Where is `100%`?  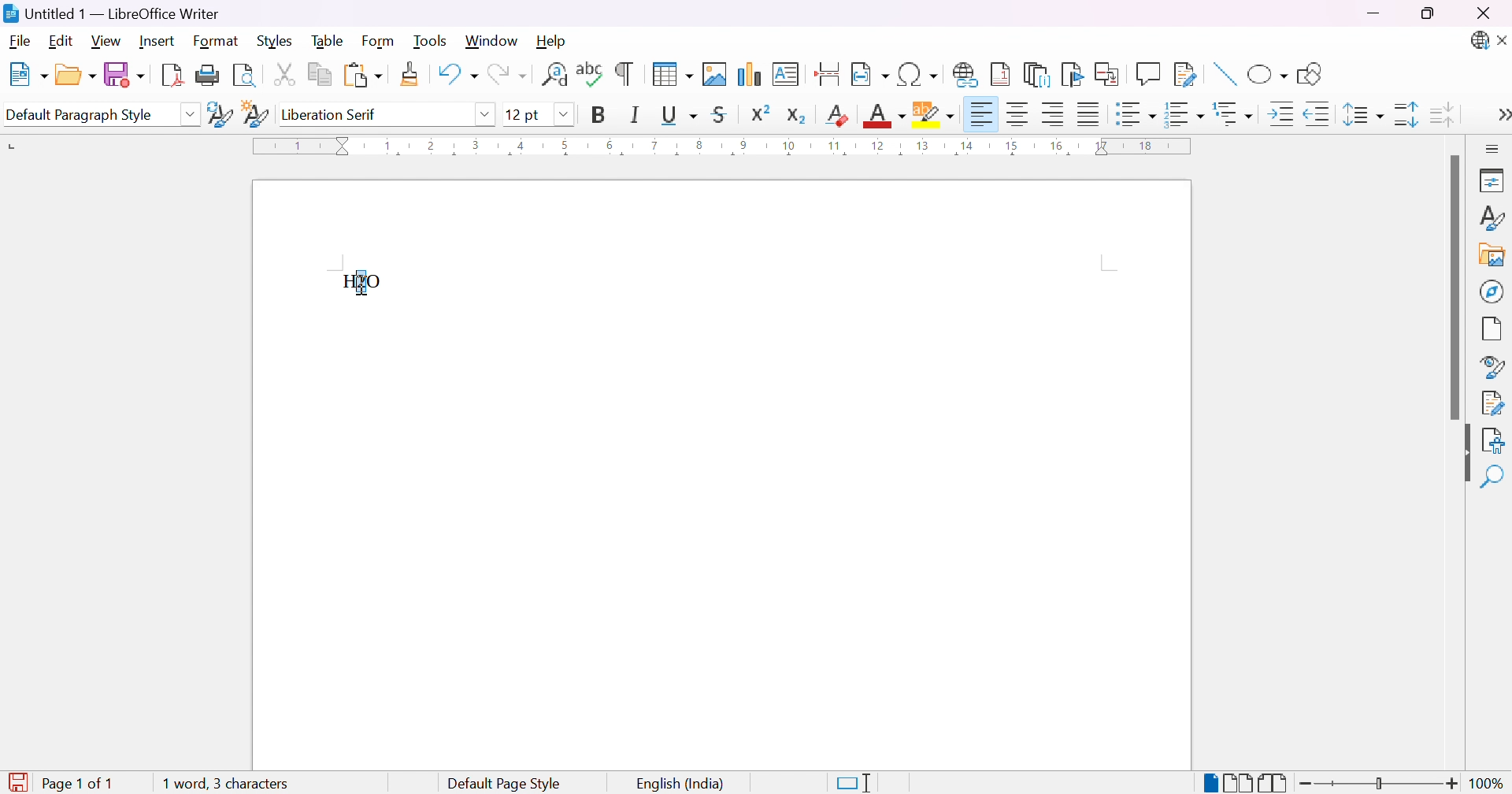
100% is located at coordinates (1488, 784).